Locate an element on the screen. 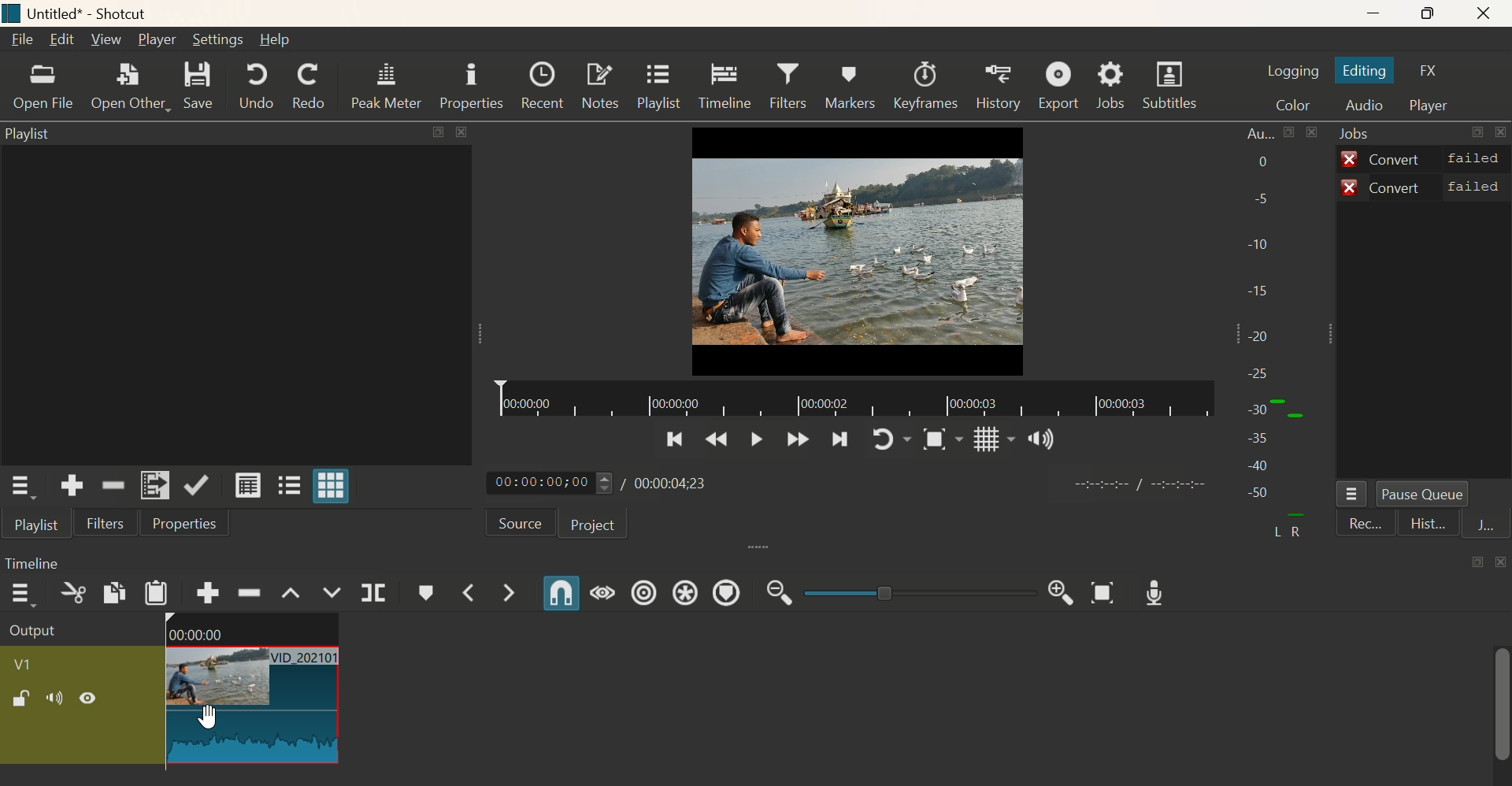  Timeline is located at coordinates (724, 86).